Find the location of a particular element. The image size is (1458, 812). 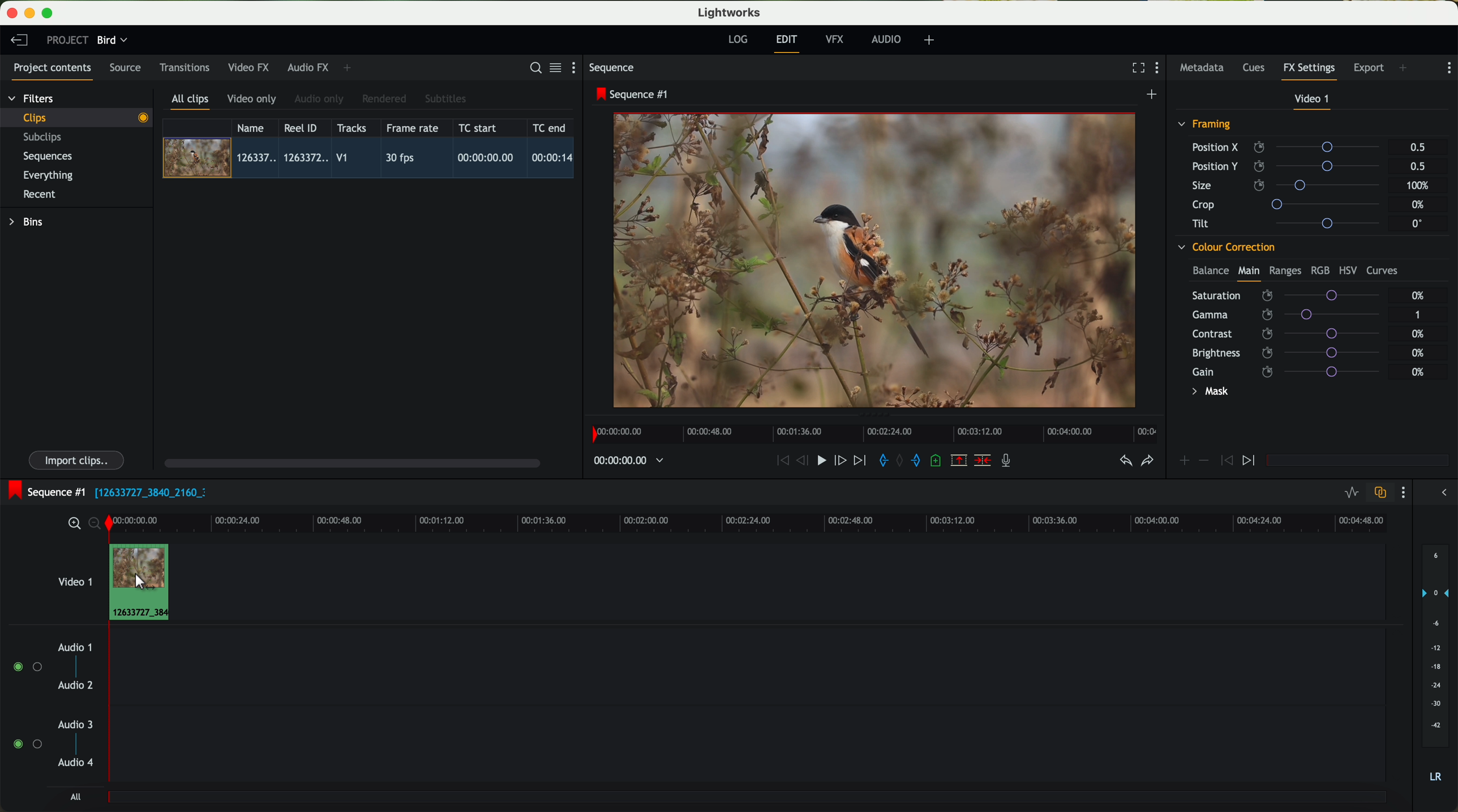

play is located at coordinates (821, 459).